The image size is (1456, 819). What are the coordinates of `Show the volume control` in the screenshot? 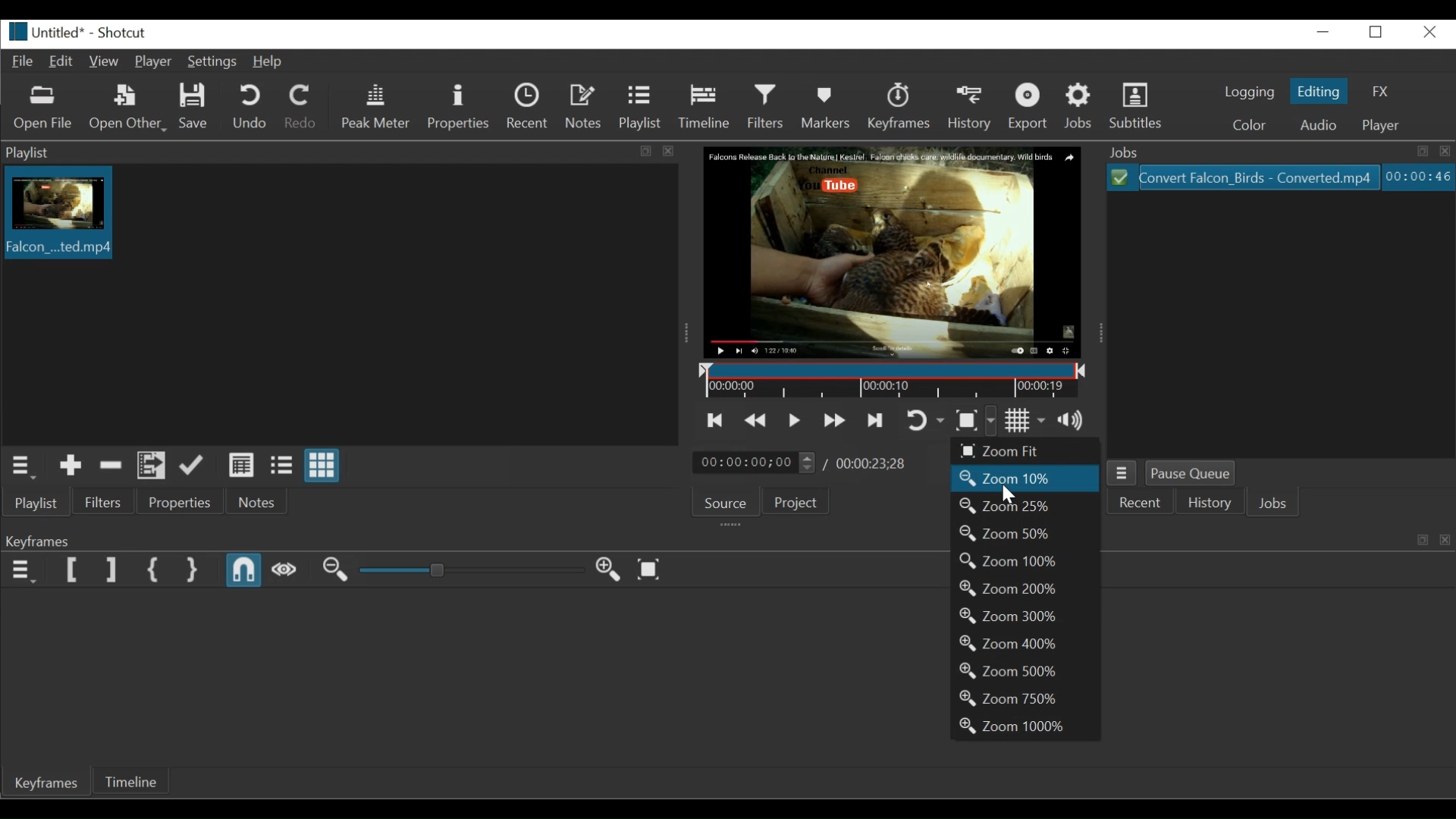 It's located at (1079, 419).